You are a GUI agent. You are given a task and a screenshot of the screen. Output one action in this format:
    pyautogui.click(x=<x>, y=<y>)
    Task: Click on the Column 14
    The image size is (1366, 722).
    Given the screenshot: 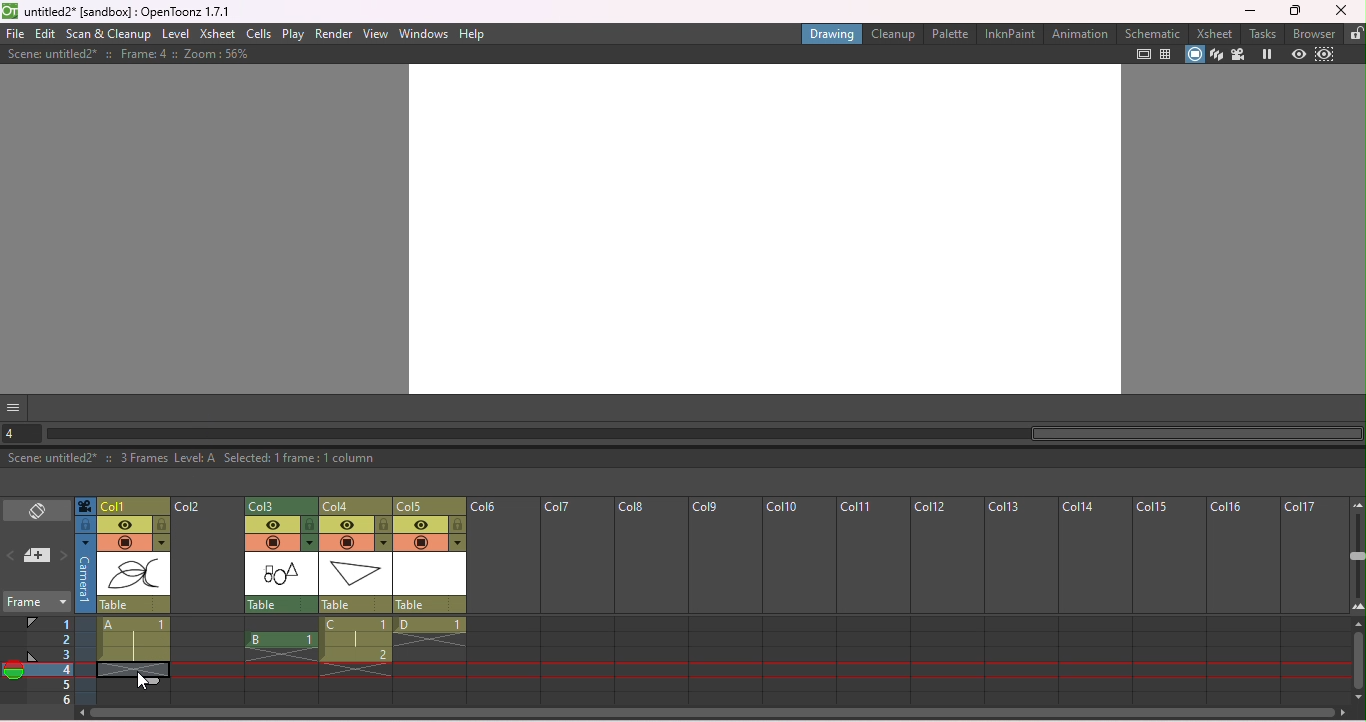 What is the action you would take?
    pyautogui.click(x=1095, y=602)
    